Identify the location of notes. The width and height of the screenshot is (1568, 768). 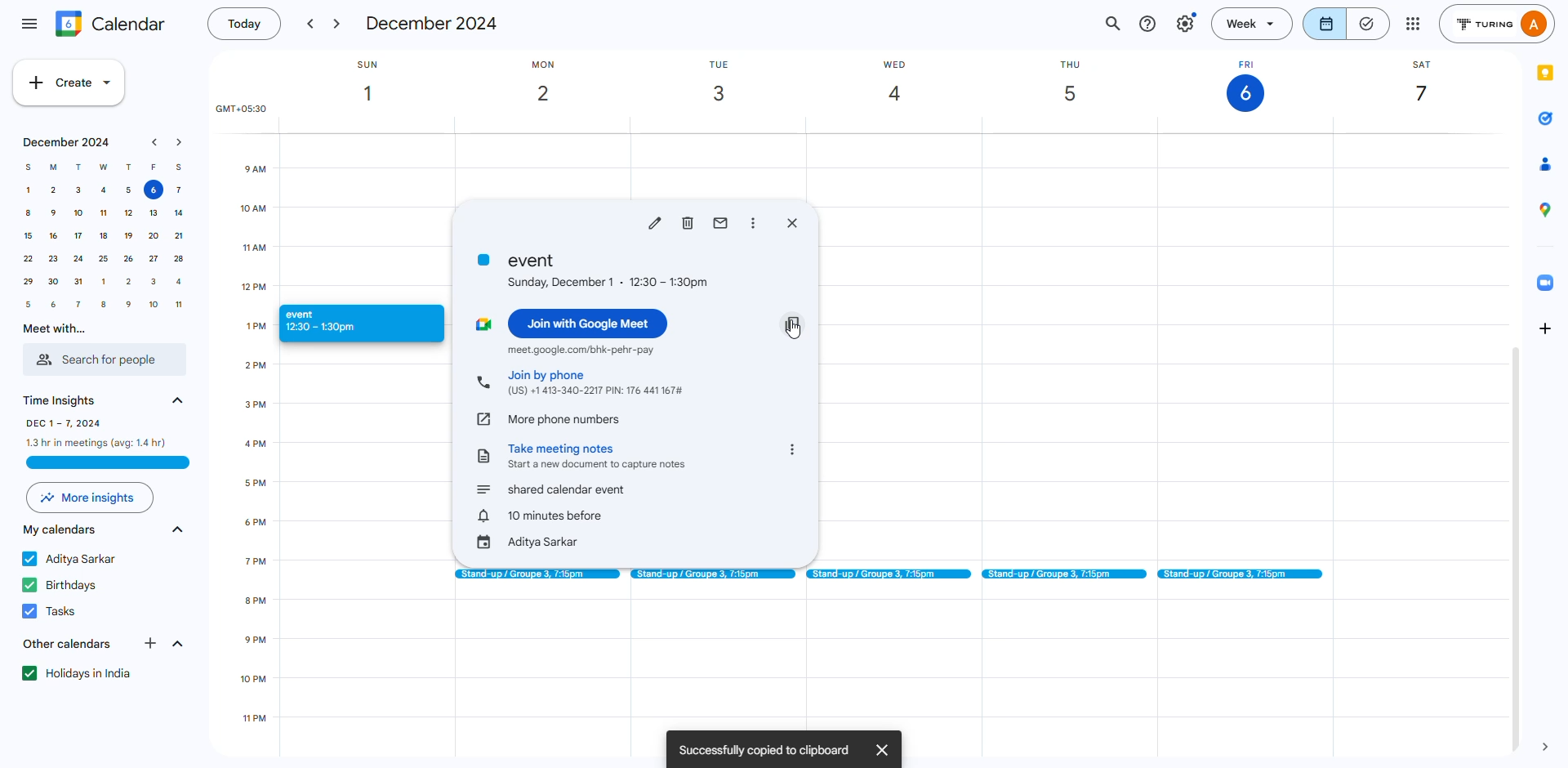
(600, 454).